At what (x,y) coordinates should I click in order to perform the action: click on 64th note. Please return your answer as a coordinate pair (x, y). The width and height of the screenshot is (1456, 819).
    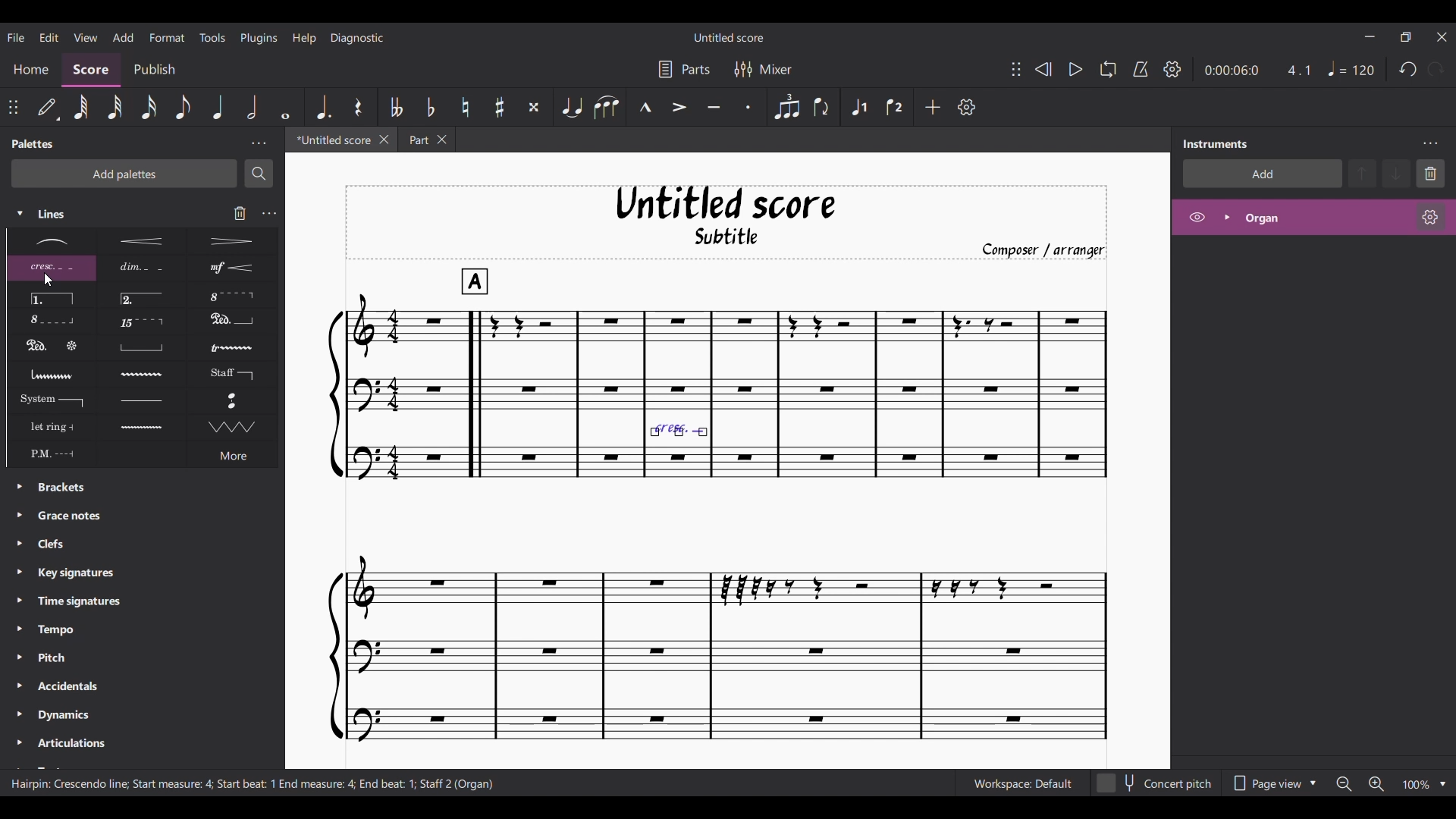
    Looking at the image, I should click on (81, 108).